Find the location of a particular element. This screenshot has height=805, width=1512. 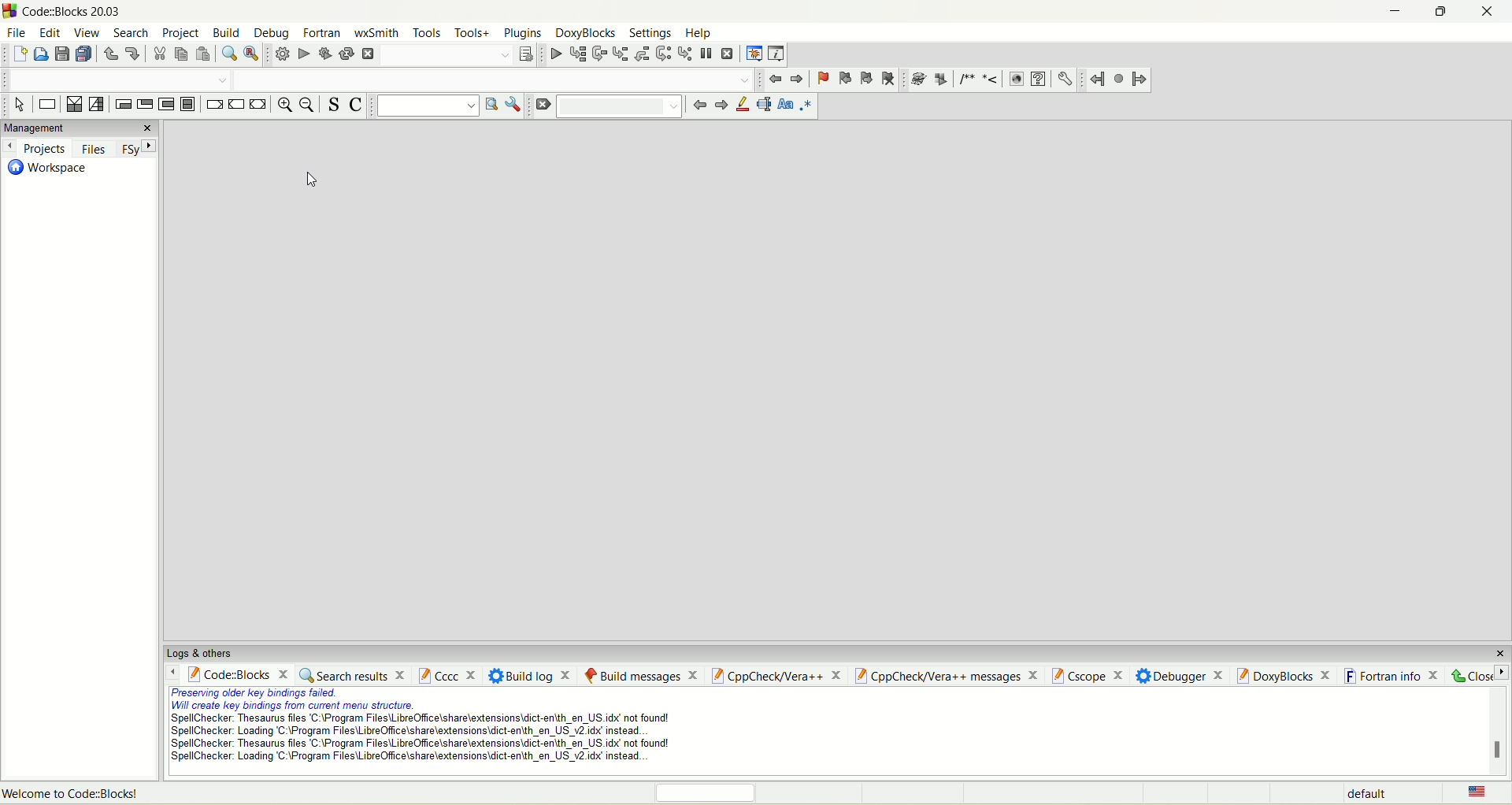

next instruction is located at coordinates (662, 54).